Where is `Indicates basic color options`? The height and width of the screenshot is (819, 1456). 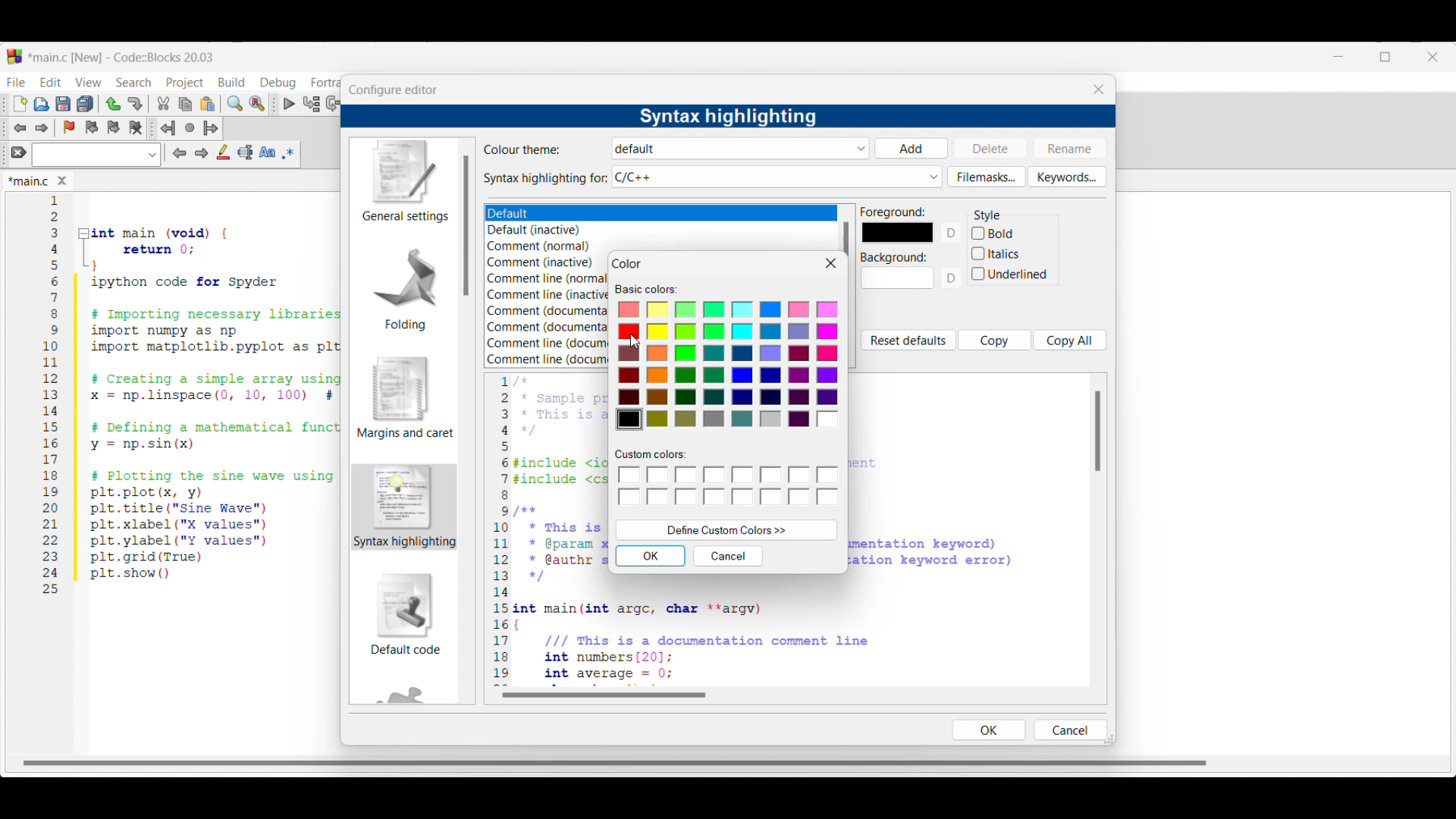
Indicates basic color options is located at coordinates (646, 290).